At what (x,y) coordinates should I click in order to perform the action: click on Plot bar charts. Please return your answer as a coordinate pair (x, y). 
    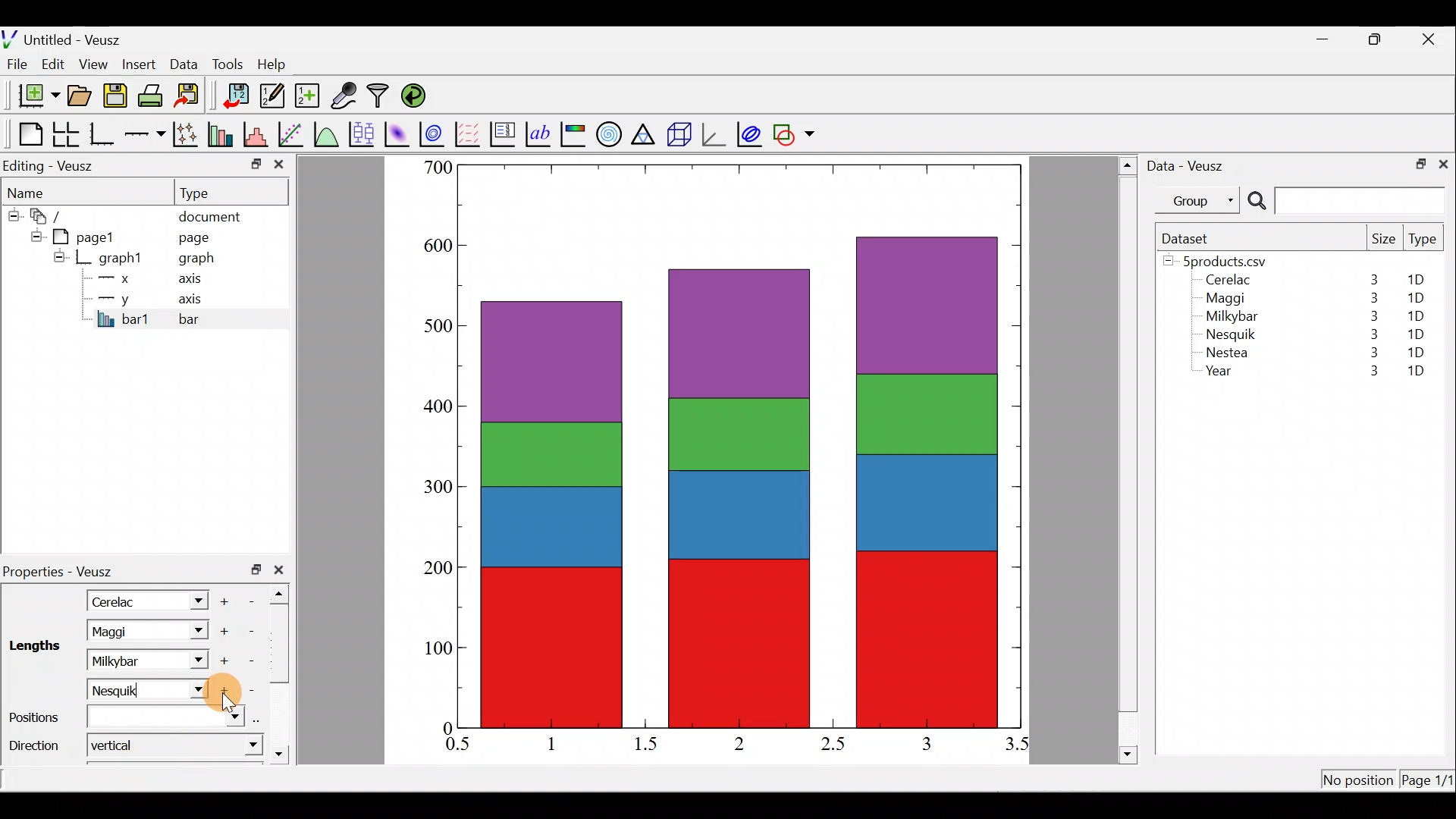
    Looking at the image, I should click on (222, 133).